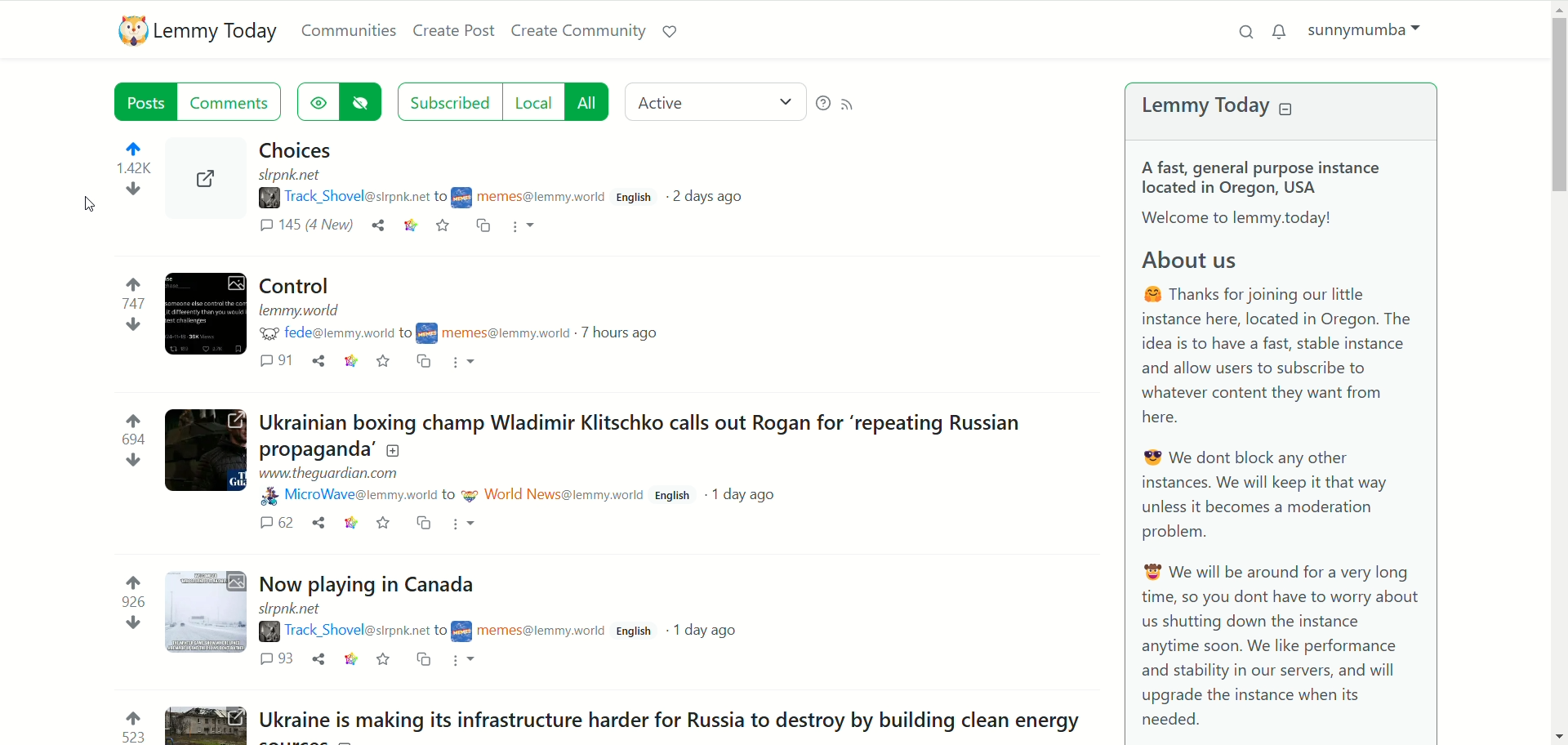 The height and width of the screenshot is (745, 1568). Describe the element at coordinates (463, 631) in the screenshot. I see `poster image` at that location.